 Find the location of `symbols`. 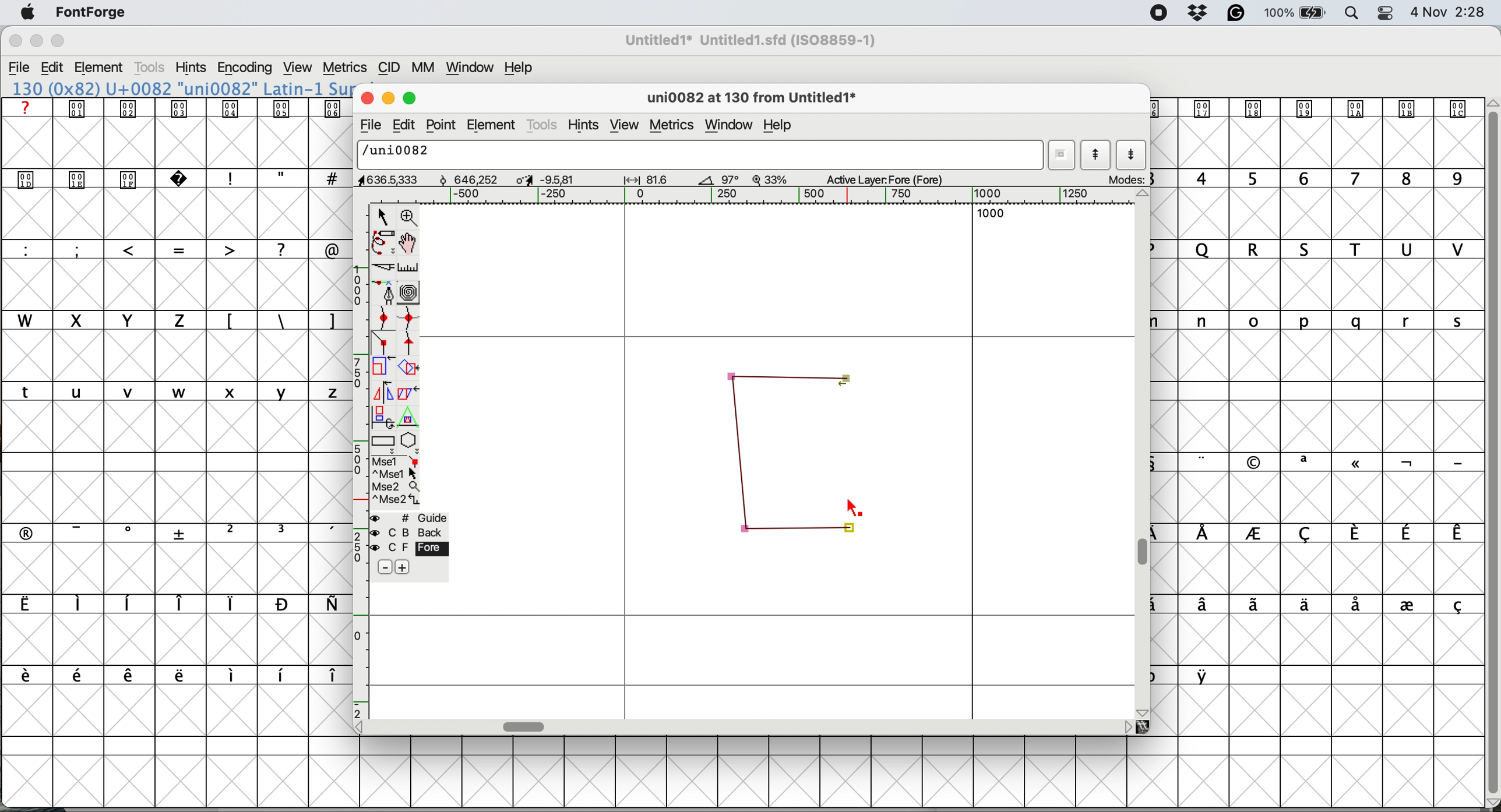

symbols is located at coordinates (172, 604).